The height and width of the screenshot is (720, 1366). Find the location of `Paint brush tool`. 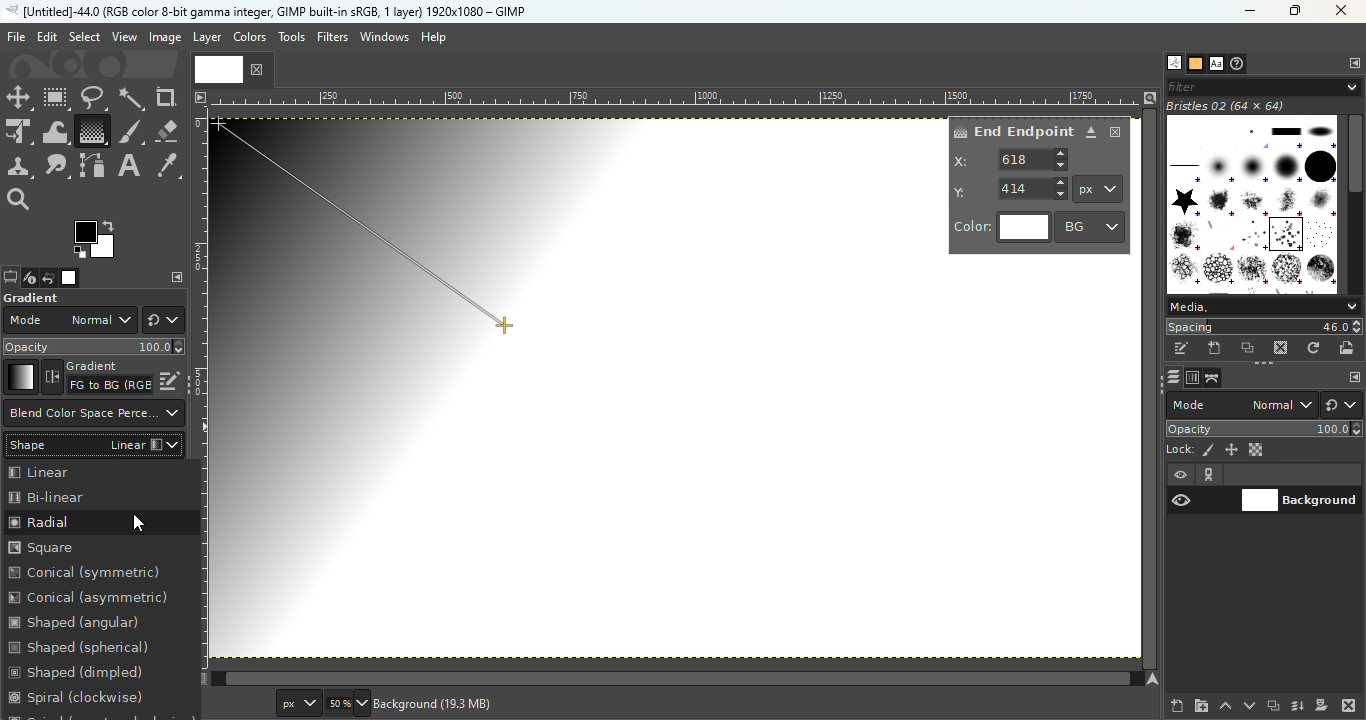

Paint brush tool is located at coordinates (130, 130).